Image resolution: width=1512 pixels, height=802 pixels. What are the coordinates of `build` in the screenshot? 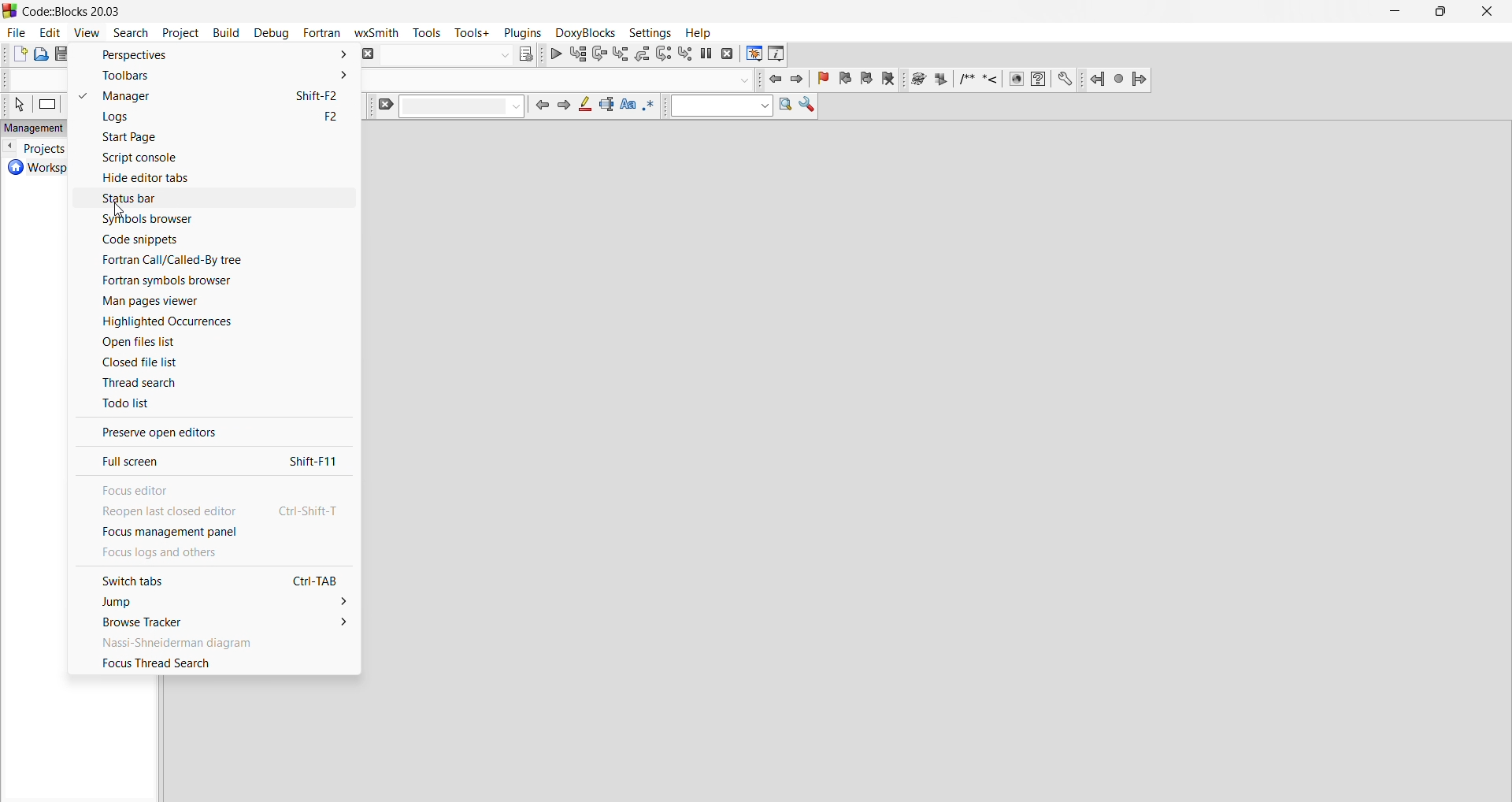 It's located at (228, 33).